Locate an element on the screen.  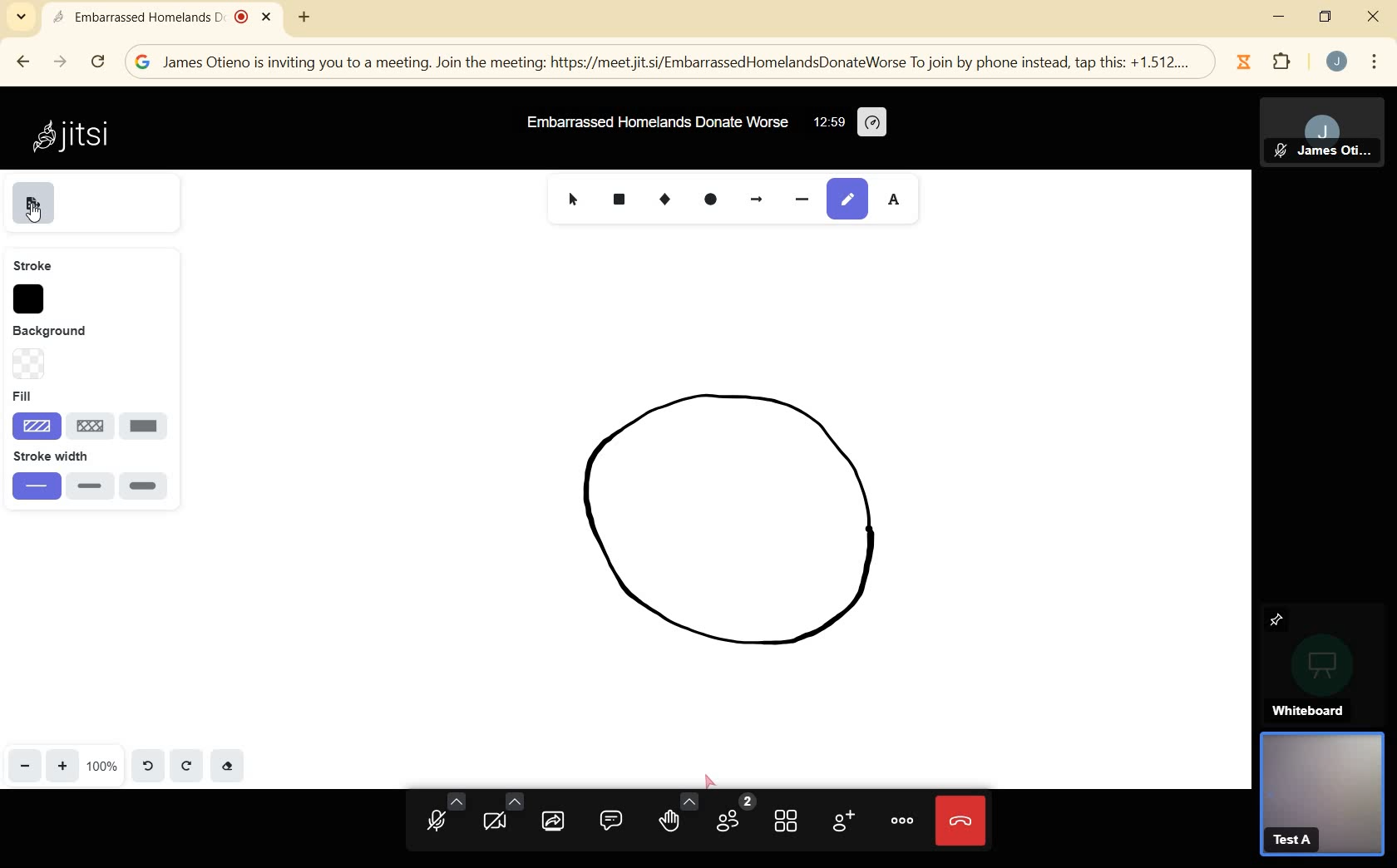
cursor is located at coordinates (577, 204).